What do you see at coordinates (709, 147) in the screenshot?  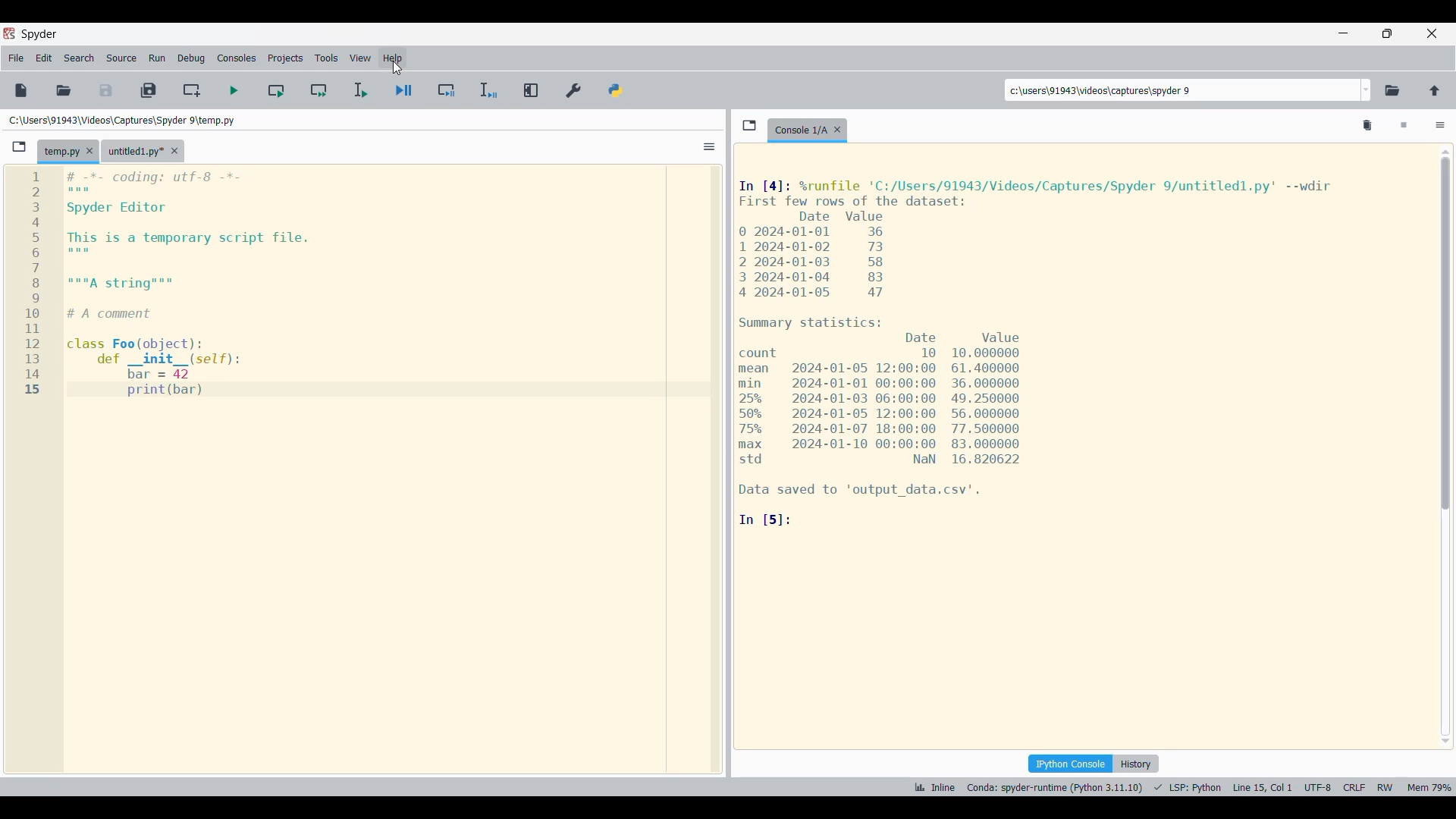 I see `Options` at bounding box center [709, 147].